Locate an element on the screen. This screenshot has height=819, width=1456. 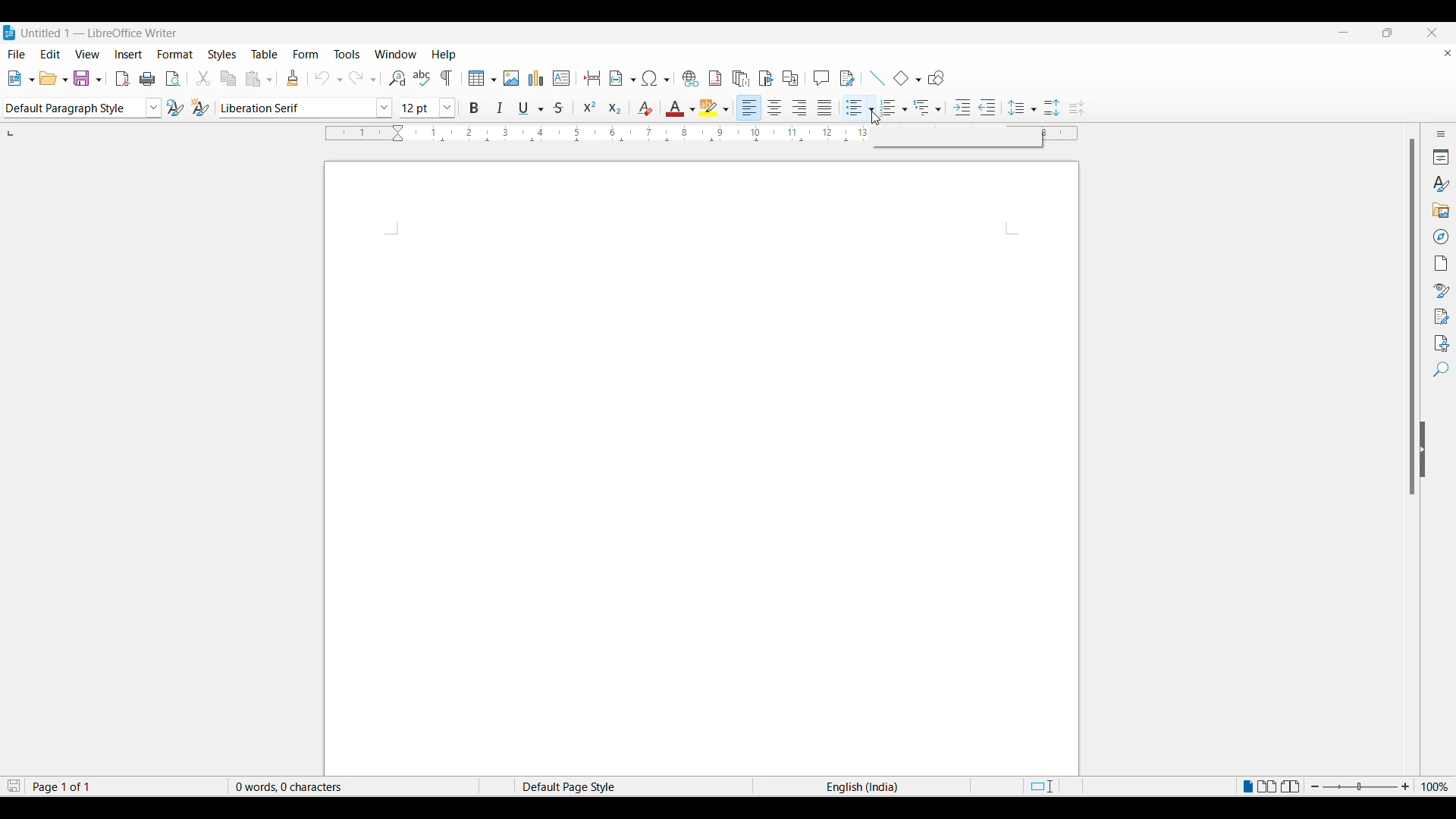
100% is located at coordinates (1436, 786).